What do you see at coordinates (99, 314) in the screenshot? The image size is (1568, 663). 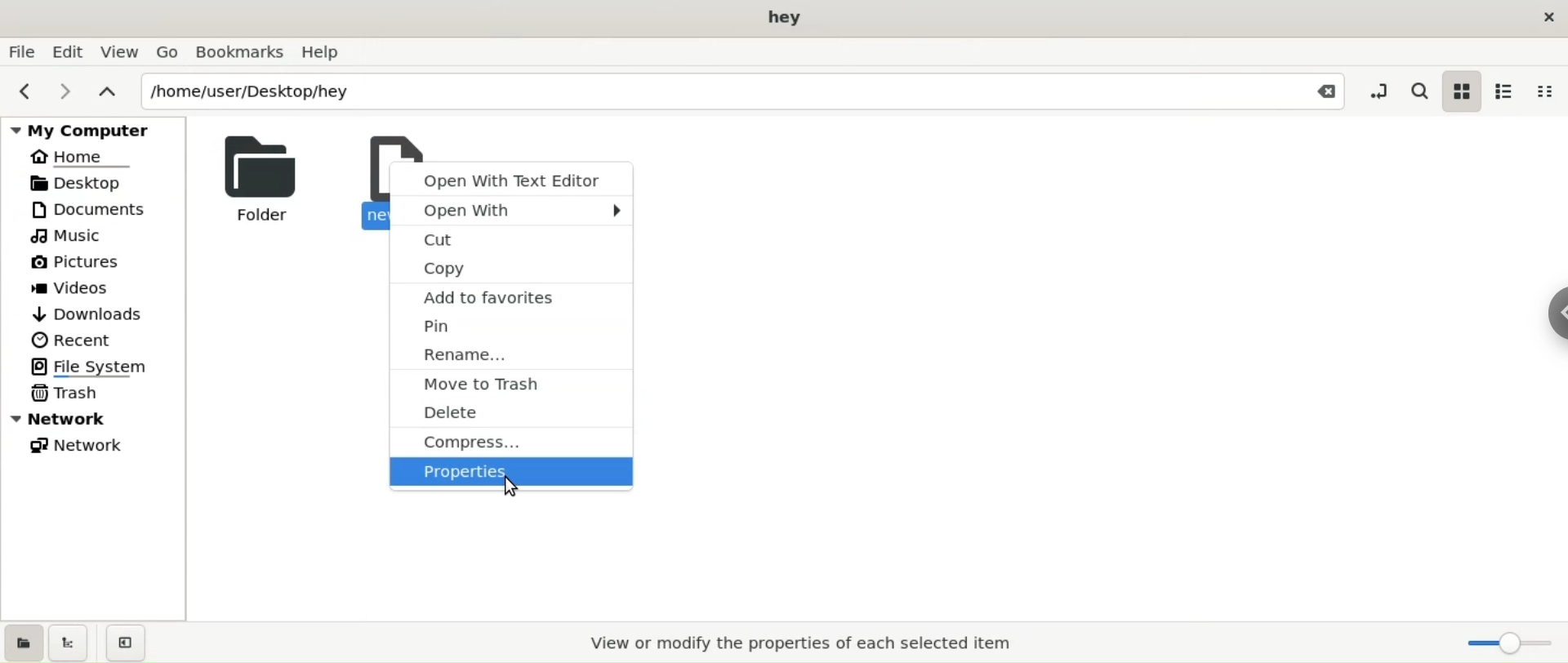 I see `Downloads` at bounding box center [99, 314].